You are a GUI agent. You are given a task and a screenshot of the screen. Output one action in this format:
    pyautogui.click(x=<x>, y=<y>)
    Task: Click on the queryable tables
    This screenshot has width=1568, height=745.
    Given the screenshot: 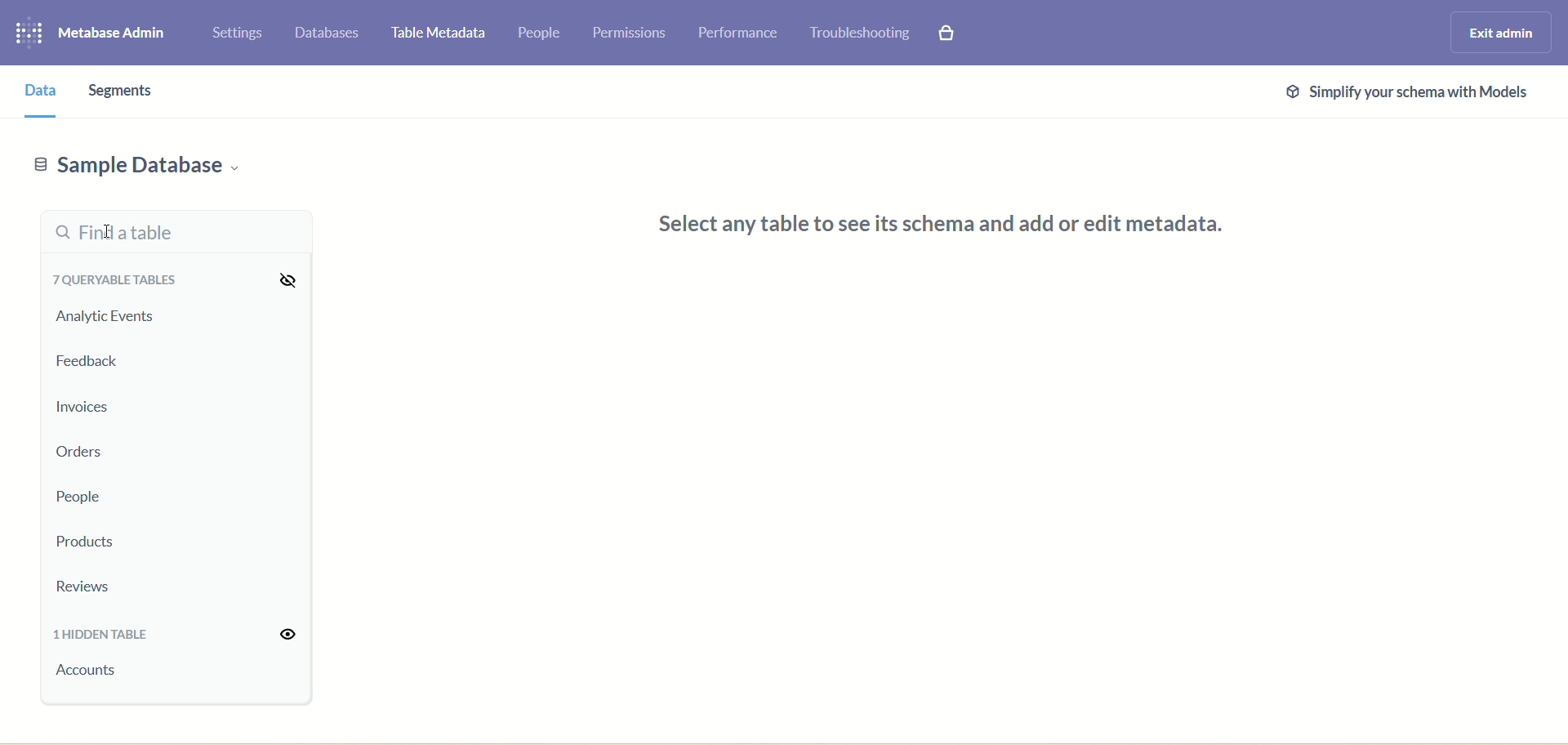 What is the action you would take?
    pyautogui.click(x=118, y=278)
    